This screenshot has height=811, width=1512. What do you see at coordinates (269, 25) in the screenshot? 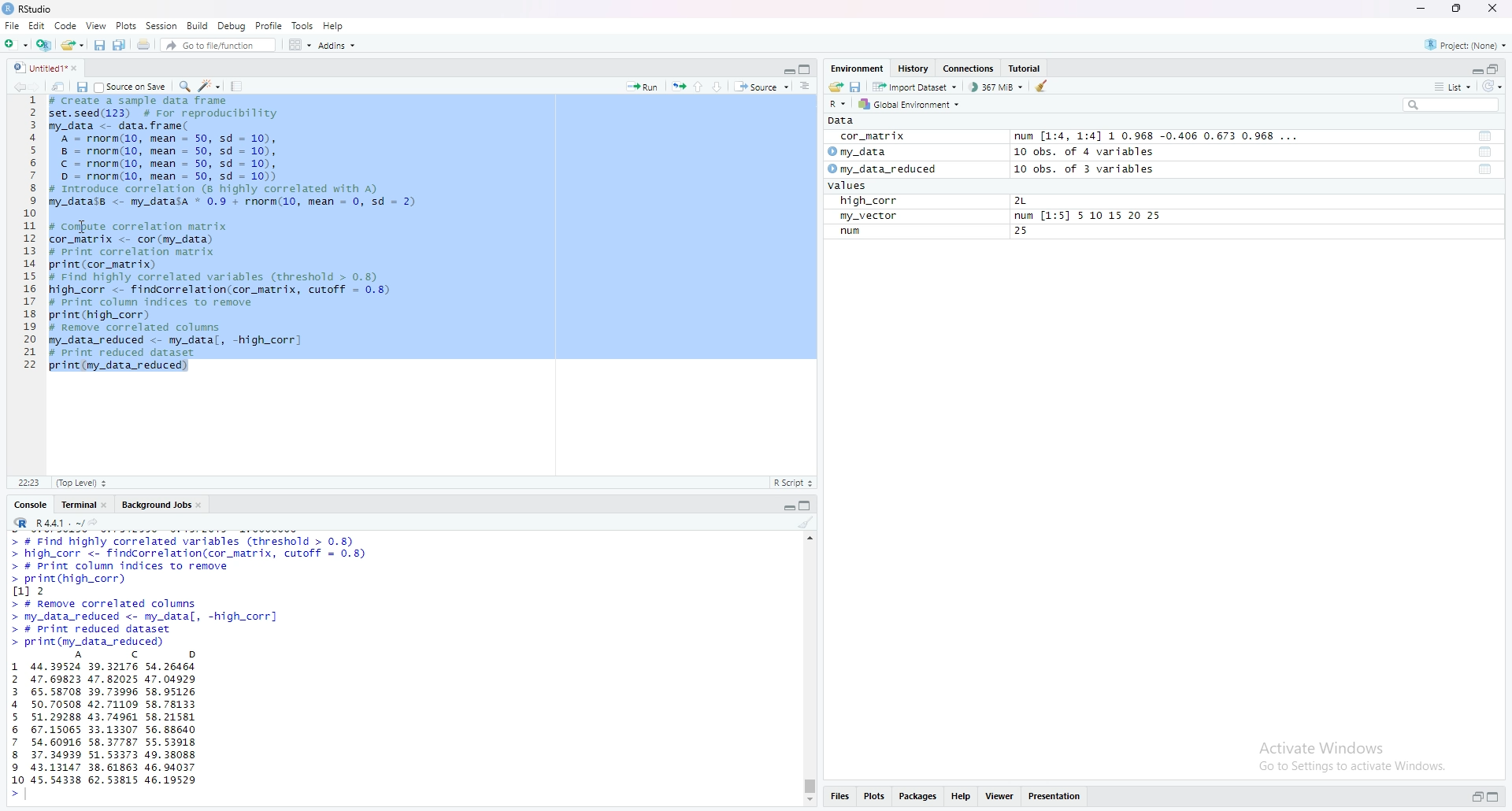
I see `Profile` at bounding box center [269, 25].